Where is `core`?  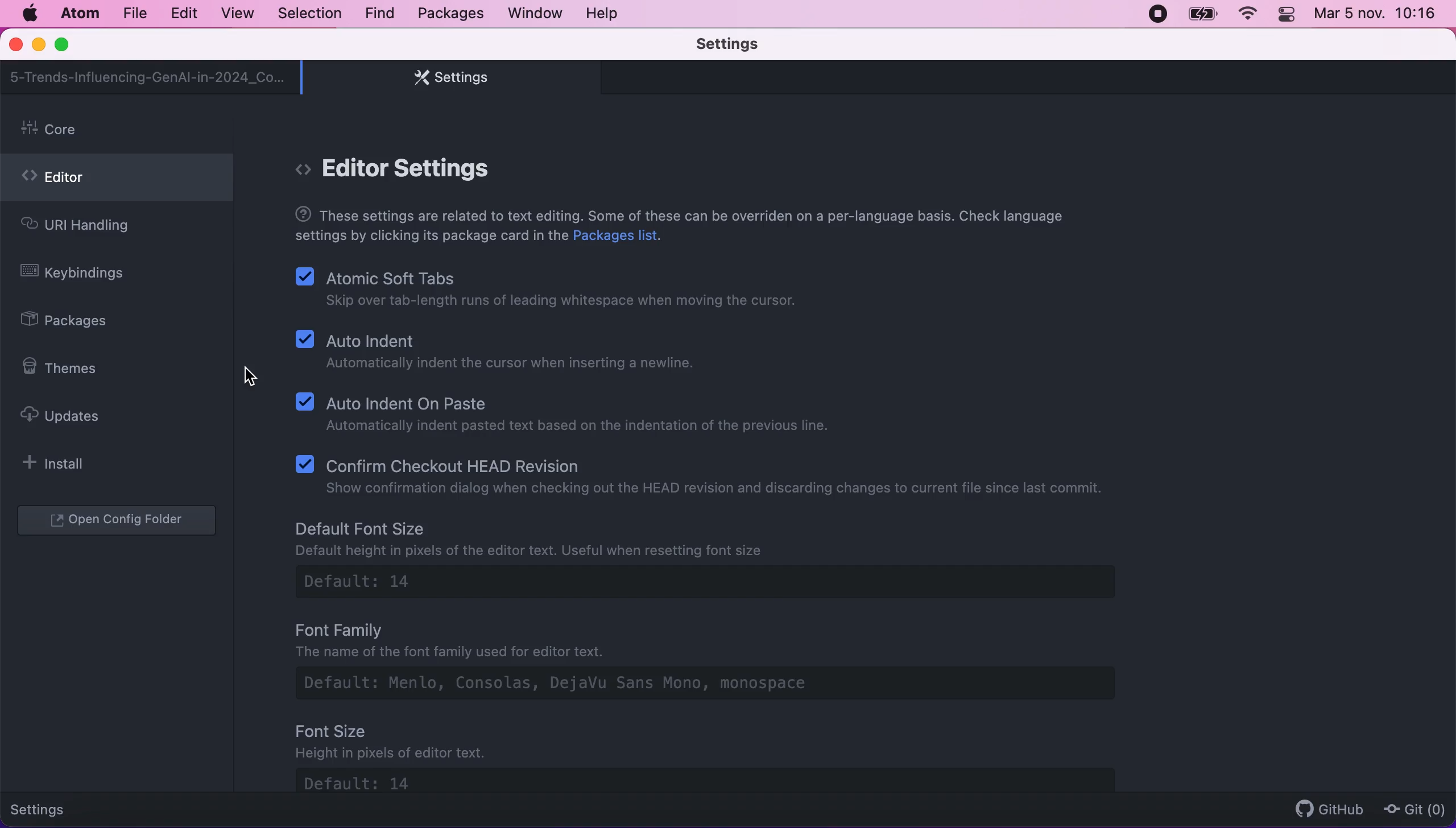
core is located at coordinates (120, 130).